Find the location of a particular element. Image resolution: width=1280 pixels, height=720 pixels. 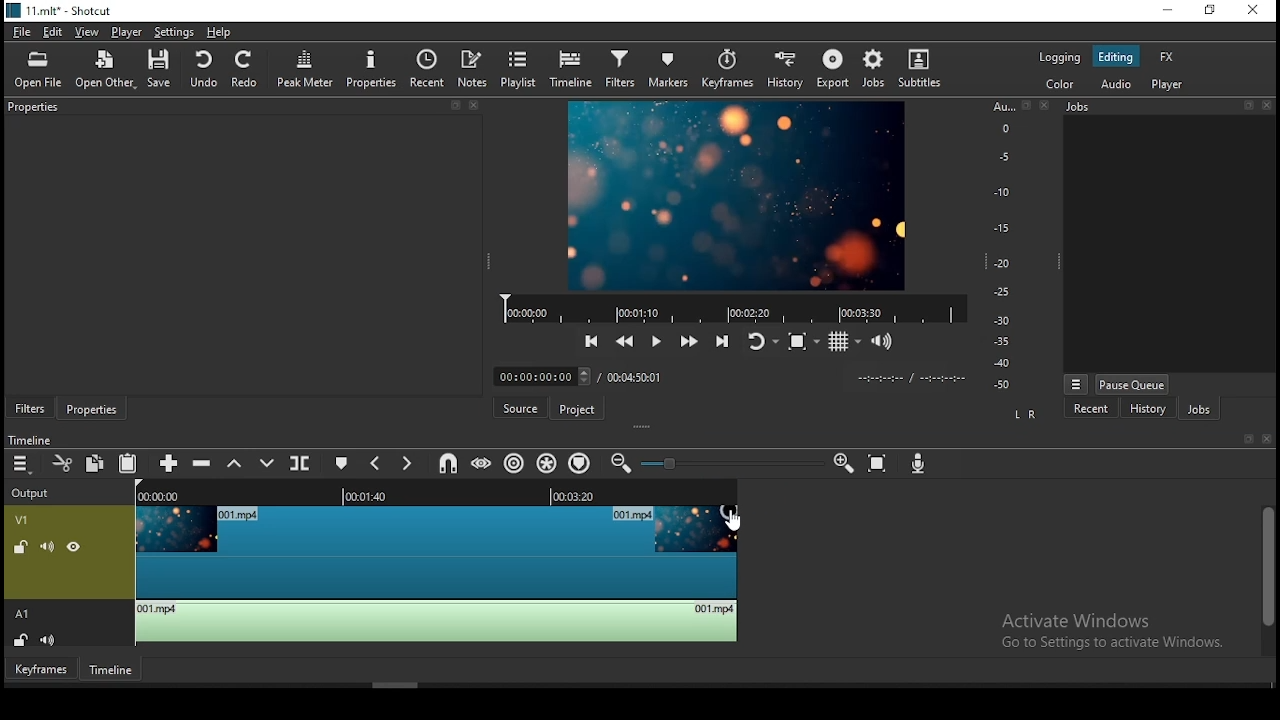

zoom timeline out is located at coordinates (622, 463).